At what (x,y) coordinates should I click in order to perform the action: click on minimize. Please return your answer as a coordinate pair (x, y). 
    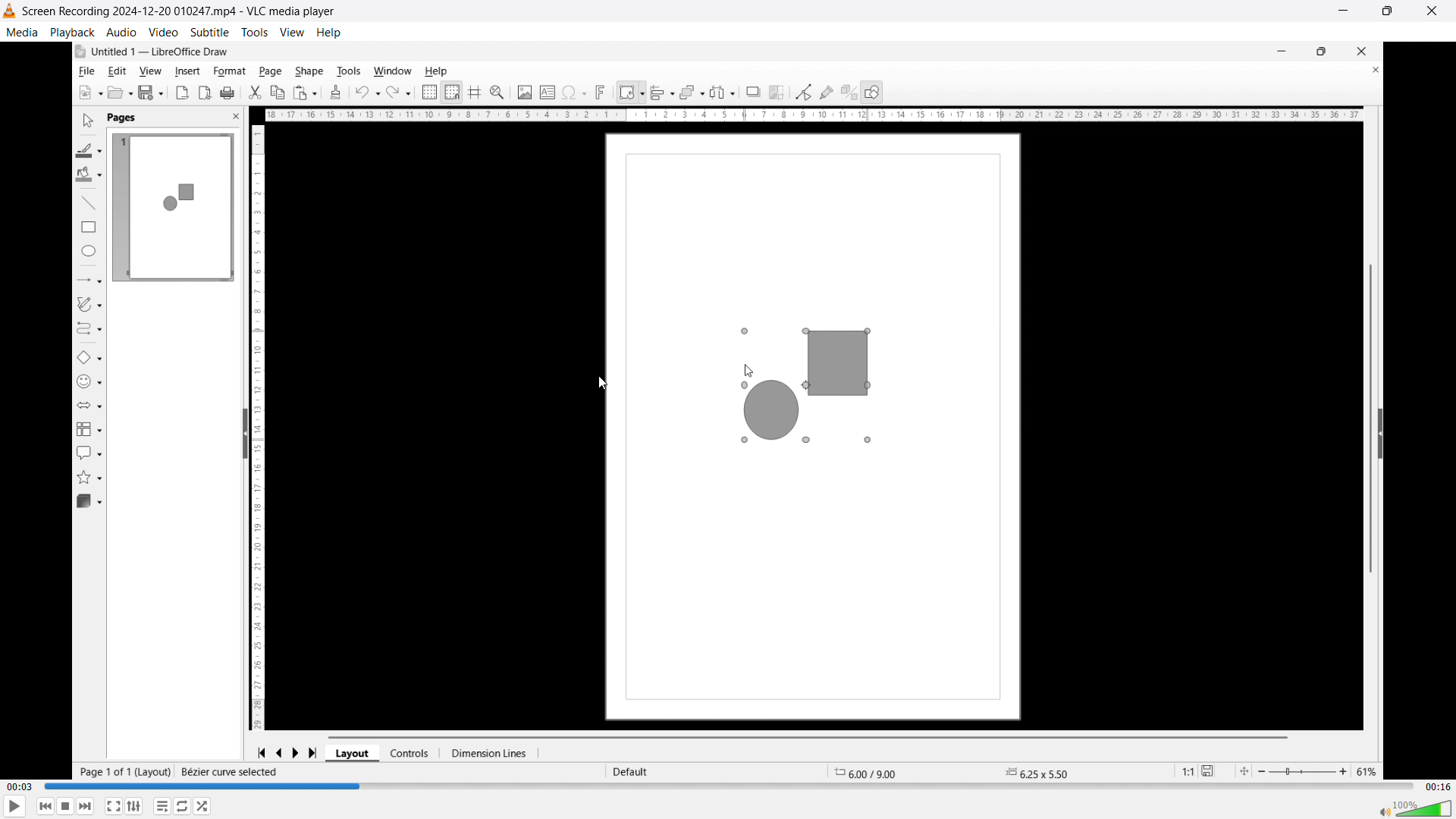
    Looking at the image, I should click on (1342, 12).